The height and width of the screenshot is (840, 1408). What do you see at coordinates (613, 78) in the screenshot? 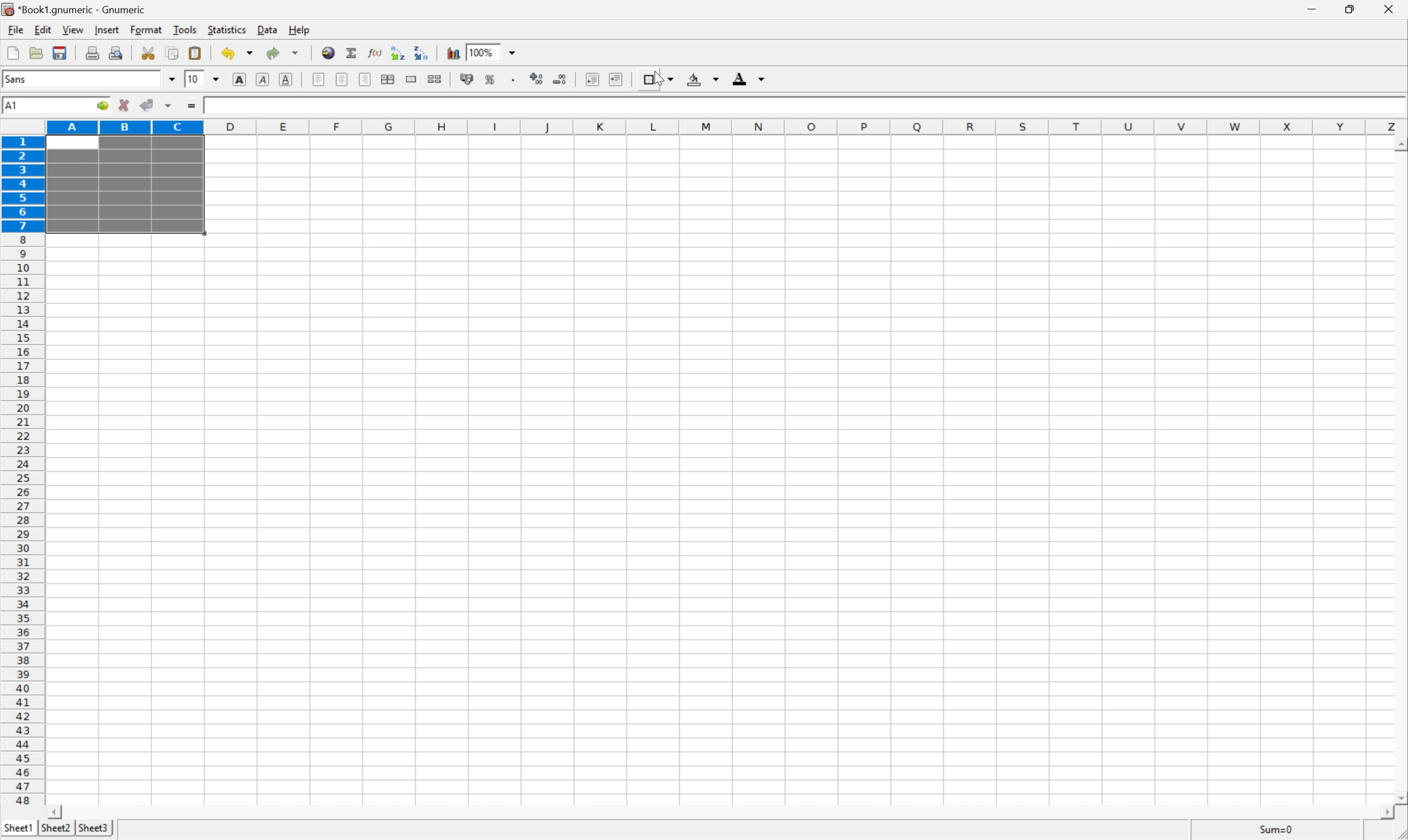
I see `increase indent` at bounding box center [613, 78].